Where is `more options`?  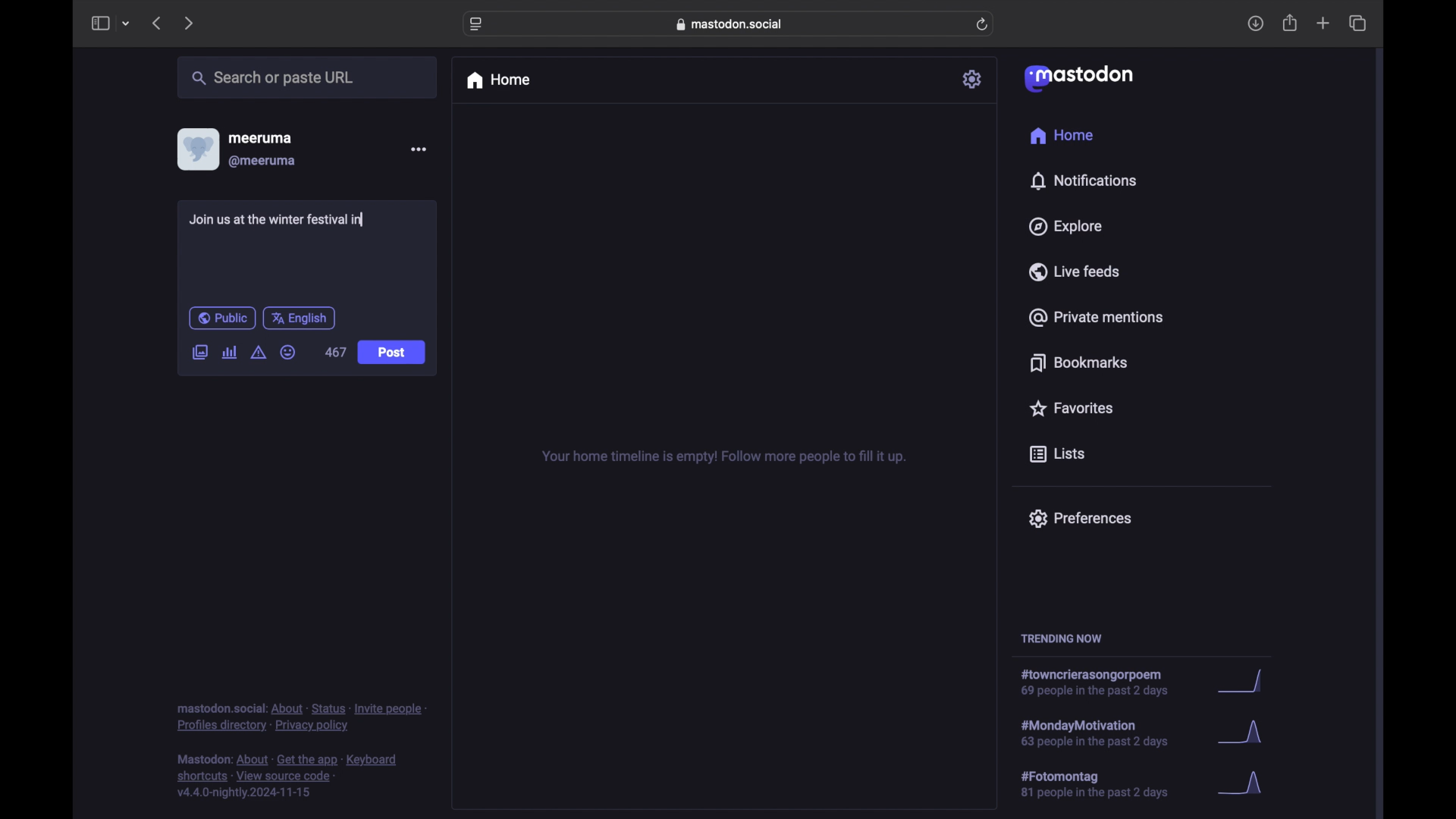 more options is located at coordinates (419, 149).